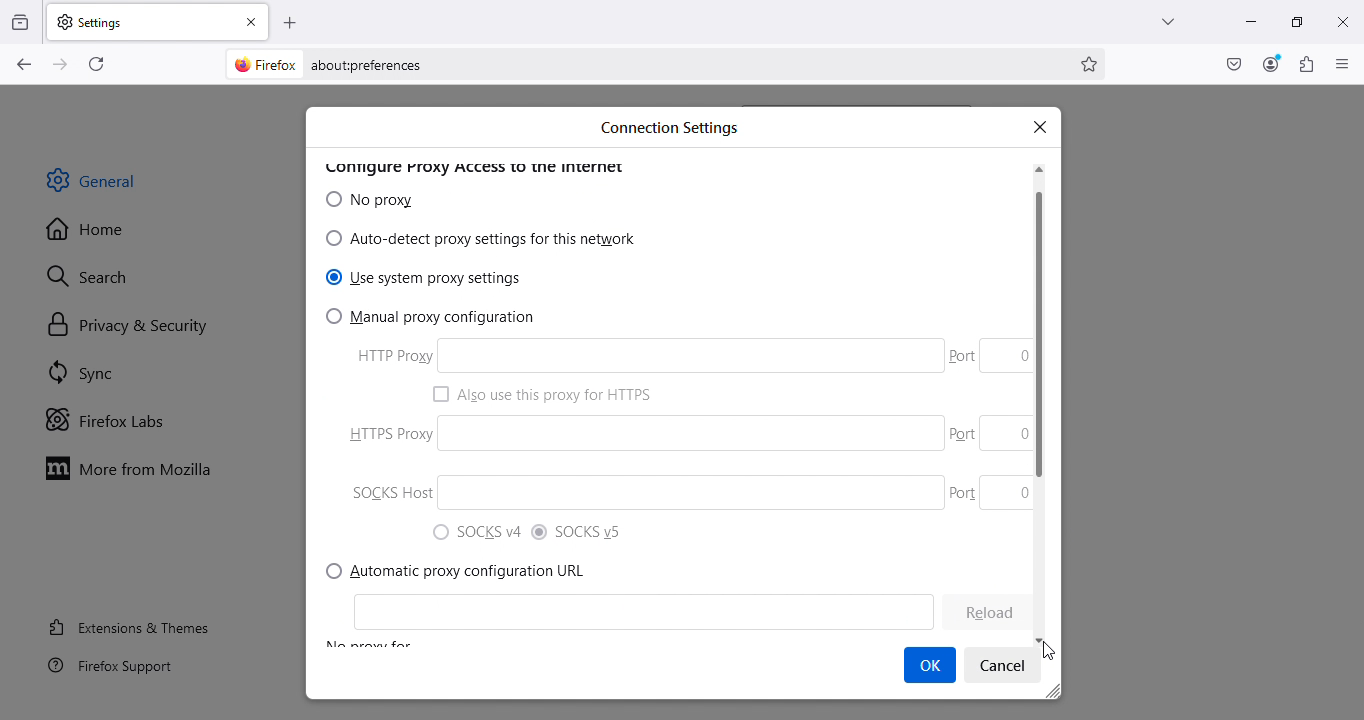  What do you see at coordinates (593, 531) in the screenshot?
I see `® SOCKSvS` at bounding box center [593, 531].